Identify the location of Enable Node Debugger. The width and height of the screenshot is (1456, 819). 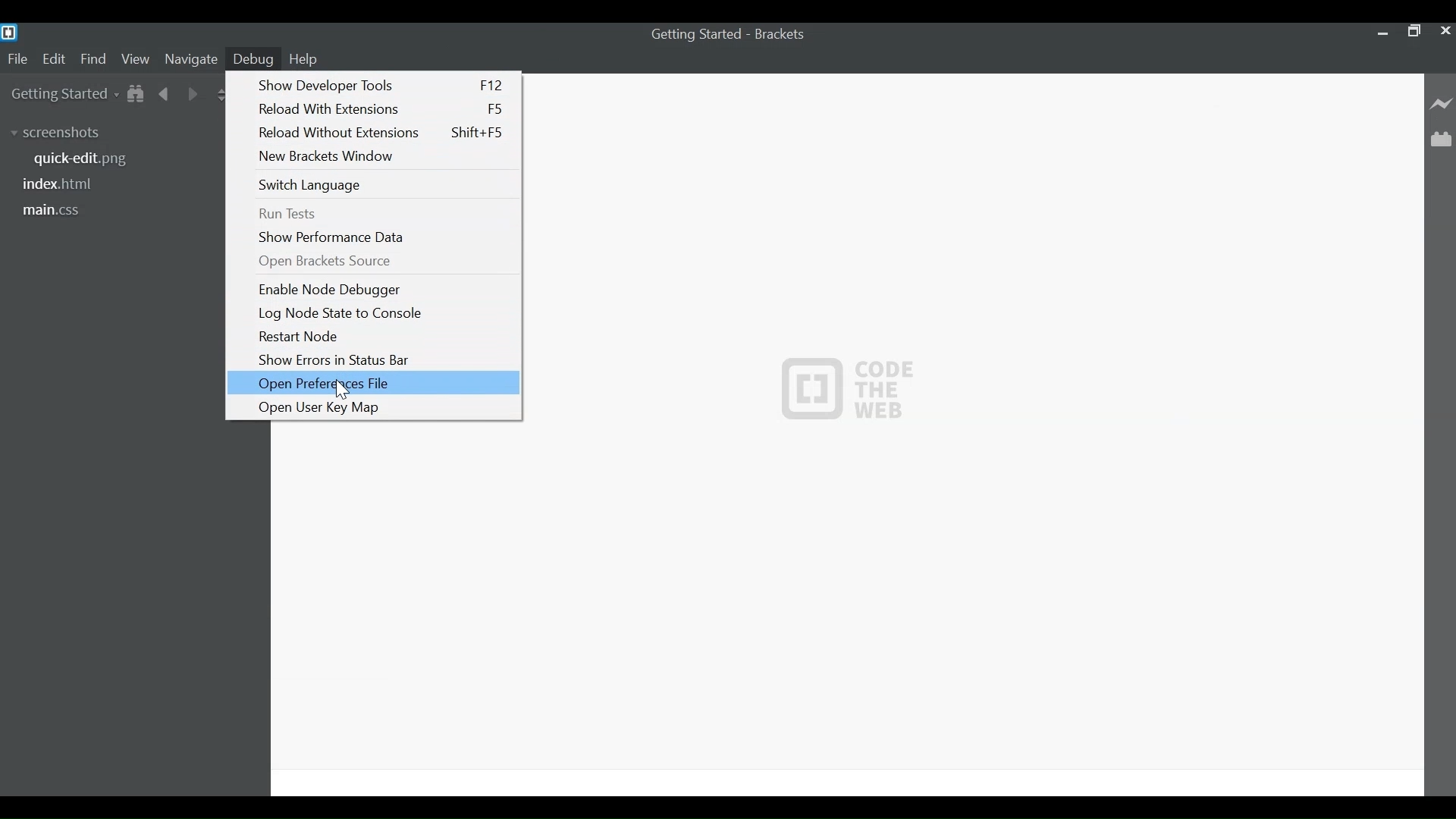
(384, 289).